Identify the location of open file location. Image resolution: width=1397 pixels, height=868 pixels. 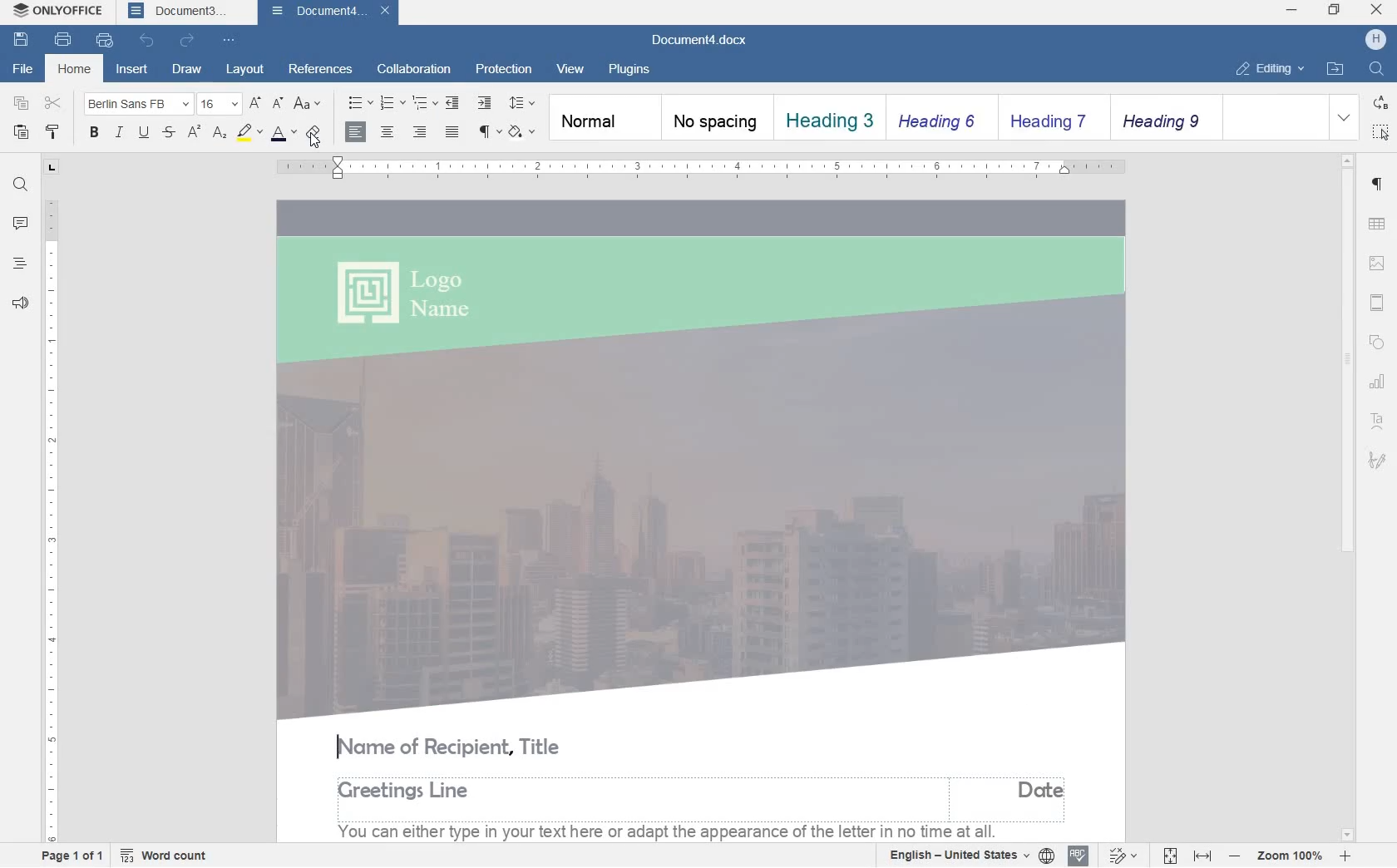
(1334, 70).